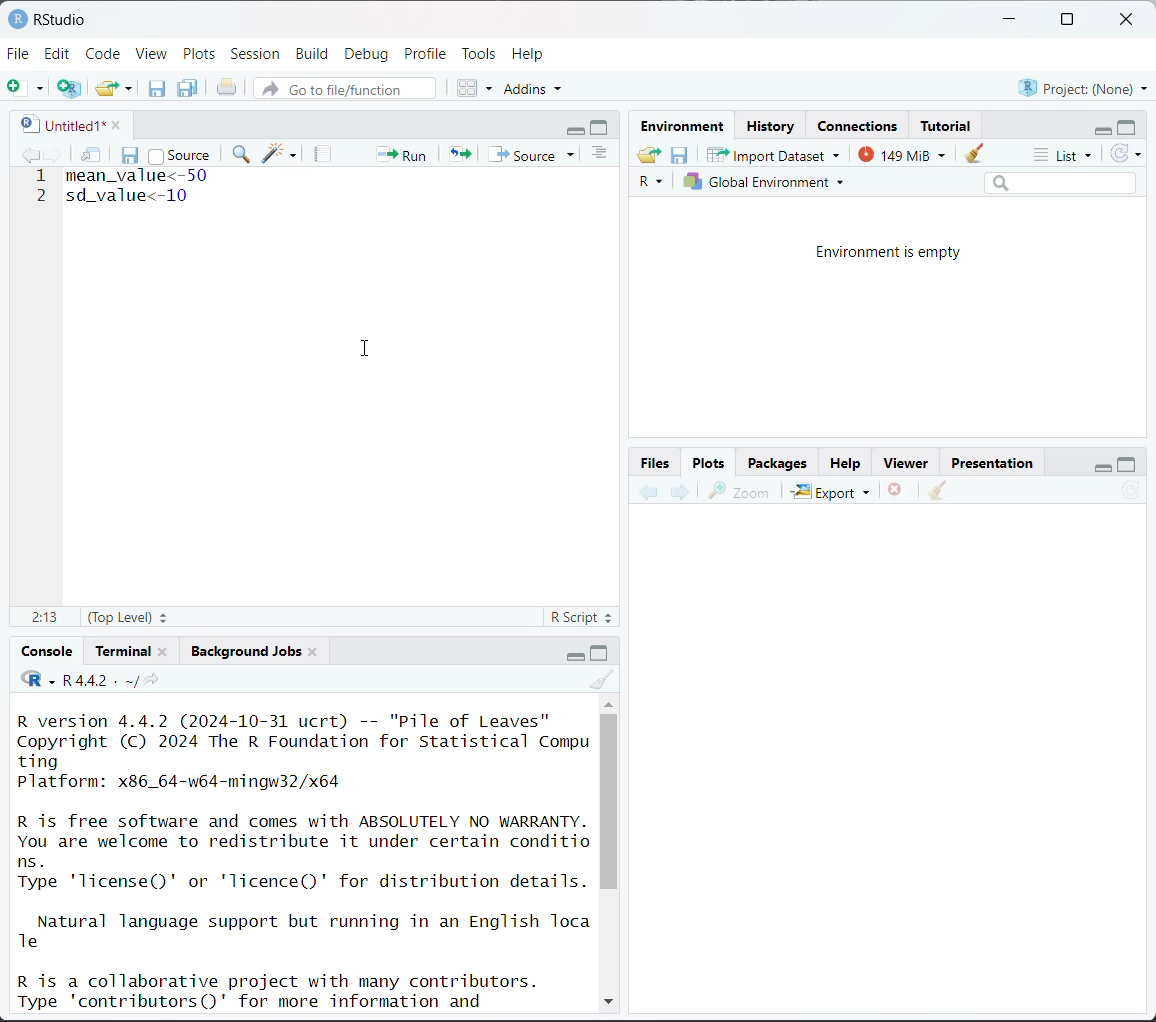  I want to click on R 4.4.2 . ~/, so click(99, 680).